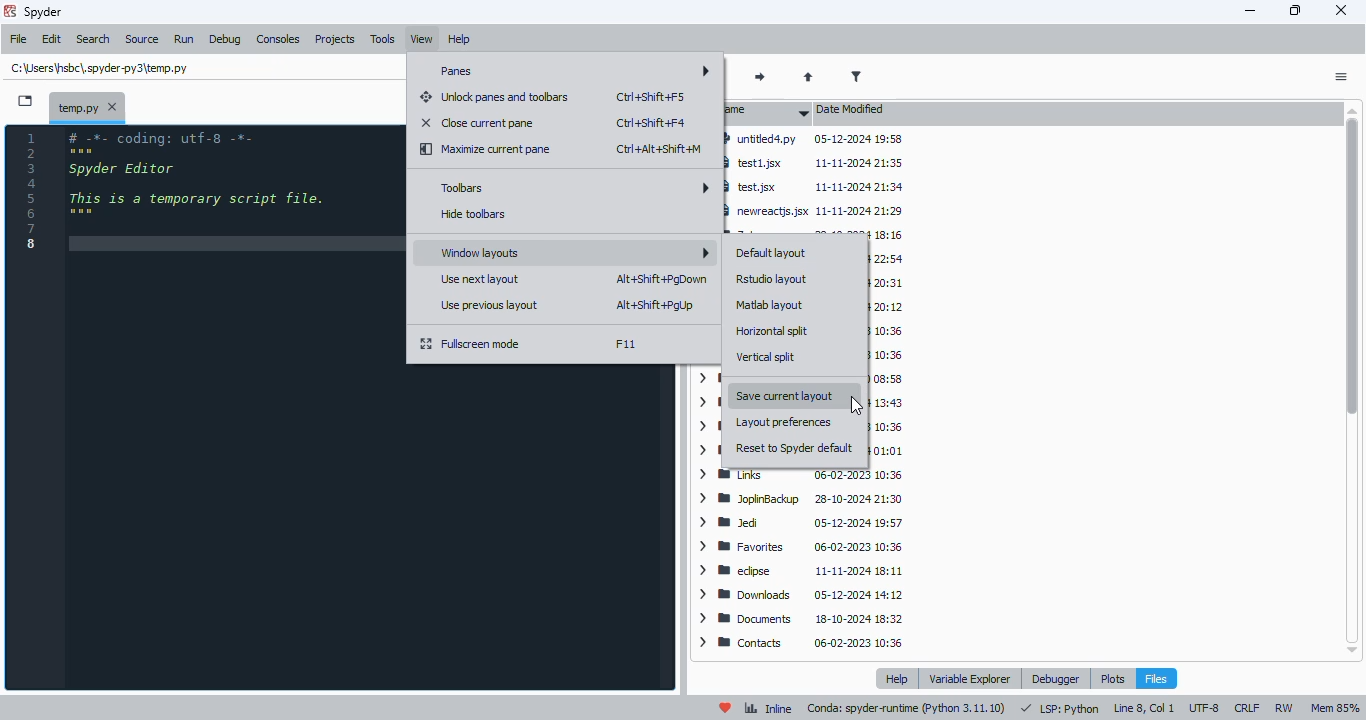 This screenshot has height=720, width=1366. What do you see at coordinates (799, 548) in the screenshot?
I see `favorites` at bounding box center [799, 548].